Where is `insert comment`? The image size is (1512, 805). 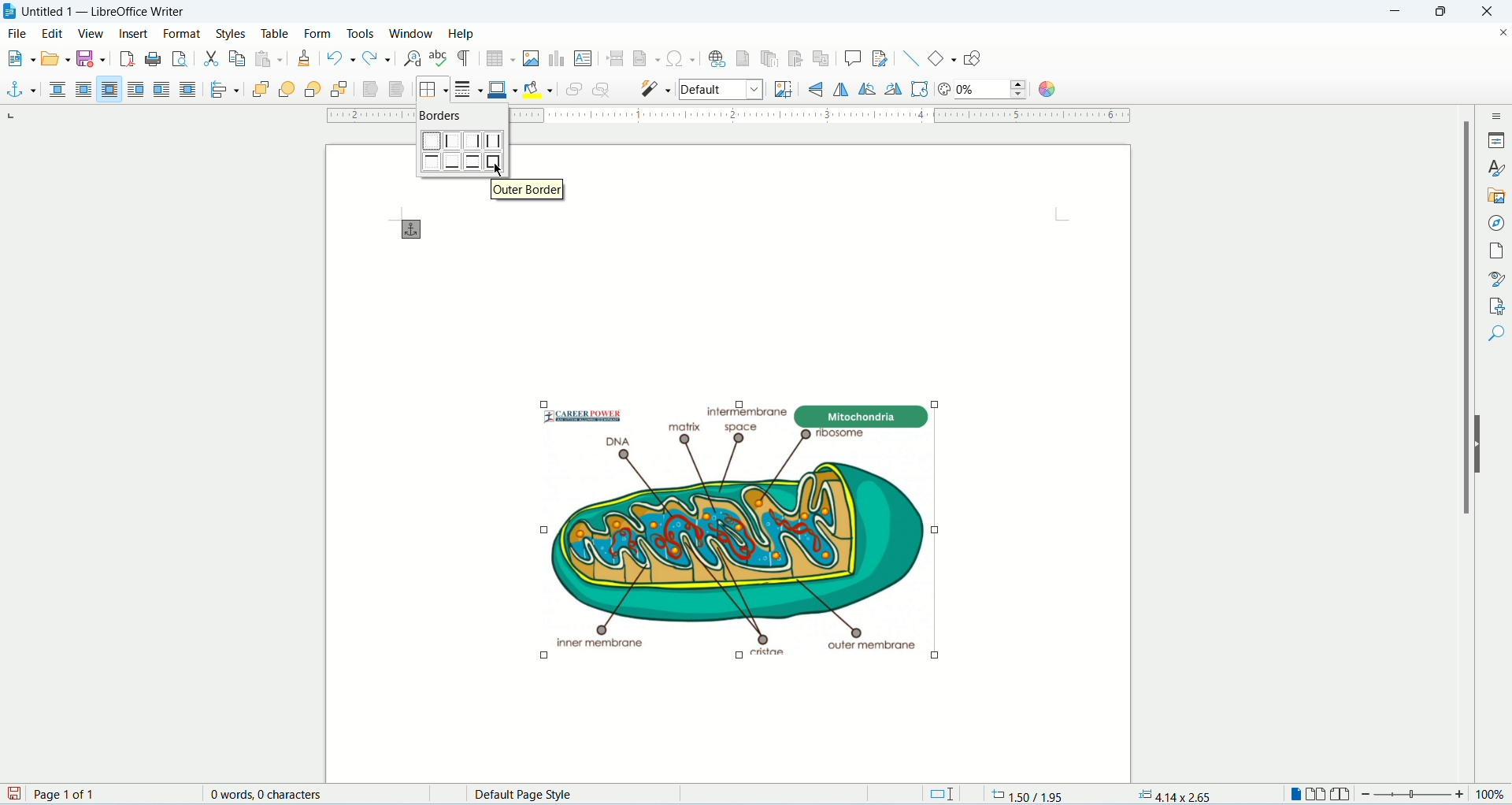 insert comment is located at coordinates (853, 58).